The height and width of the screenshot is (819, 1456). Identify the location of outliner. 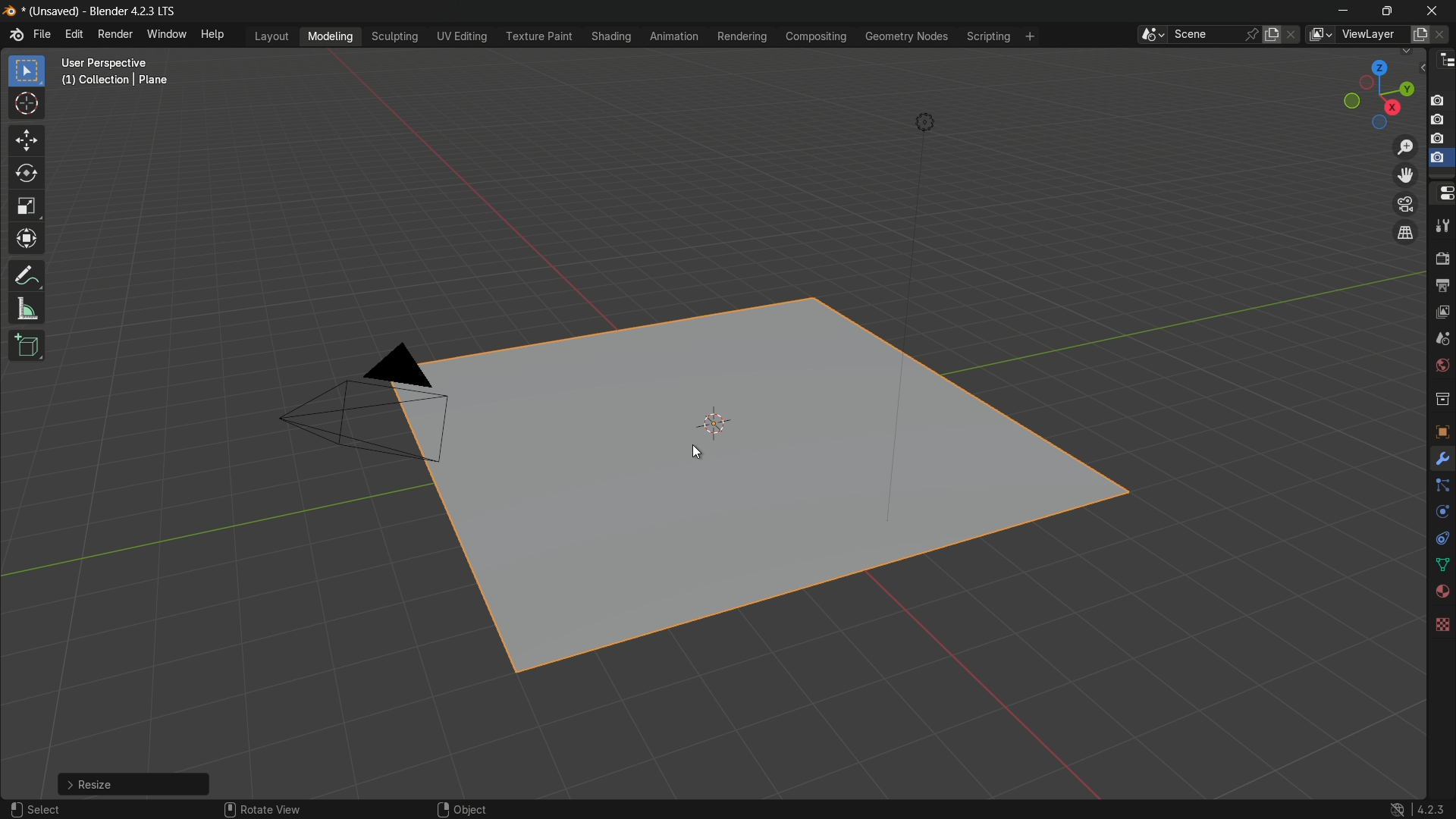
(1444, 61).